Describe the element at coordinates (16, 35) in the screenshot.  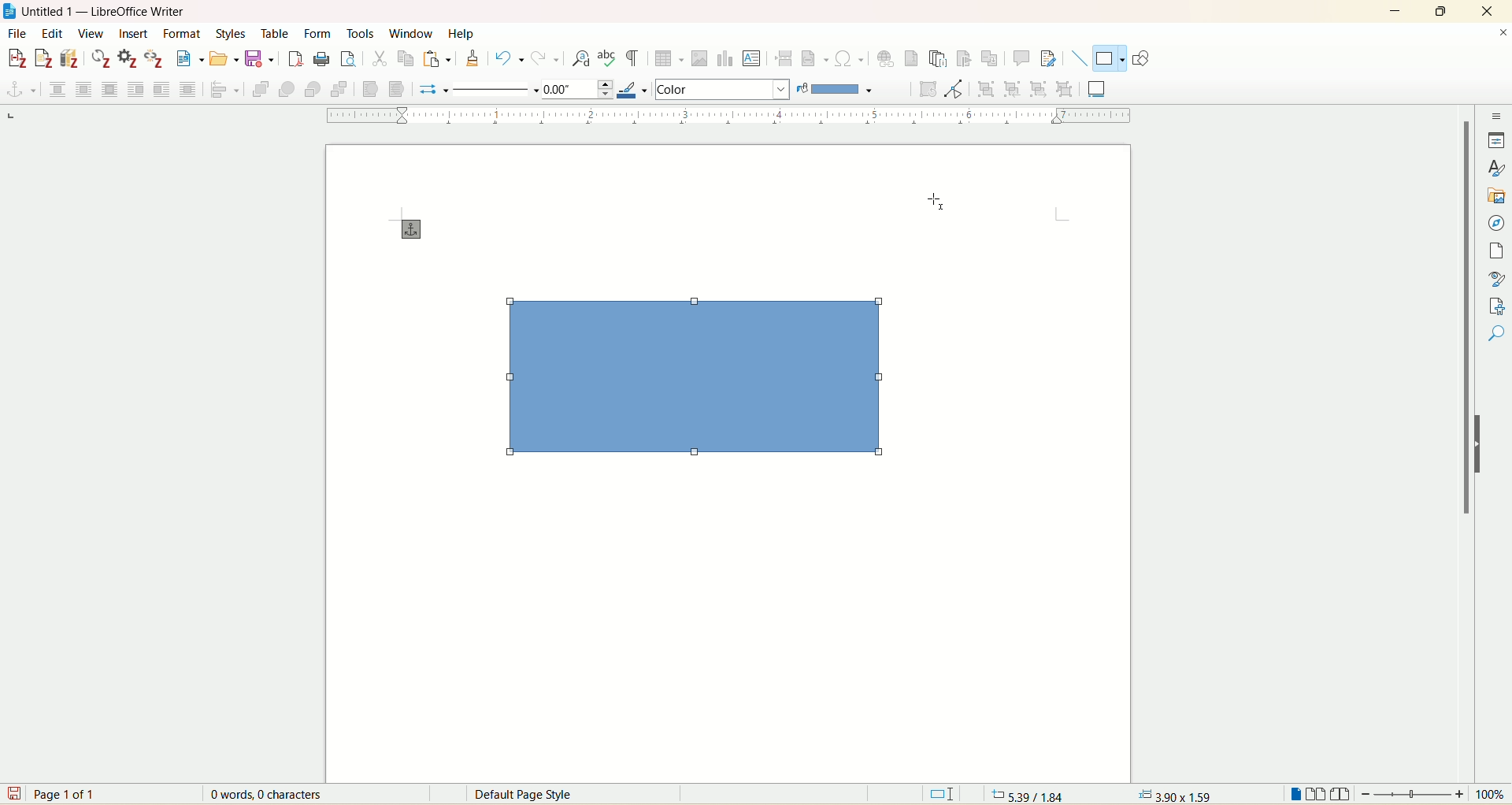
I see `file` at that location.